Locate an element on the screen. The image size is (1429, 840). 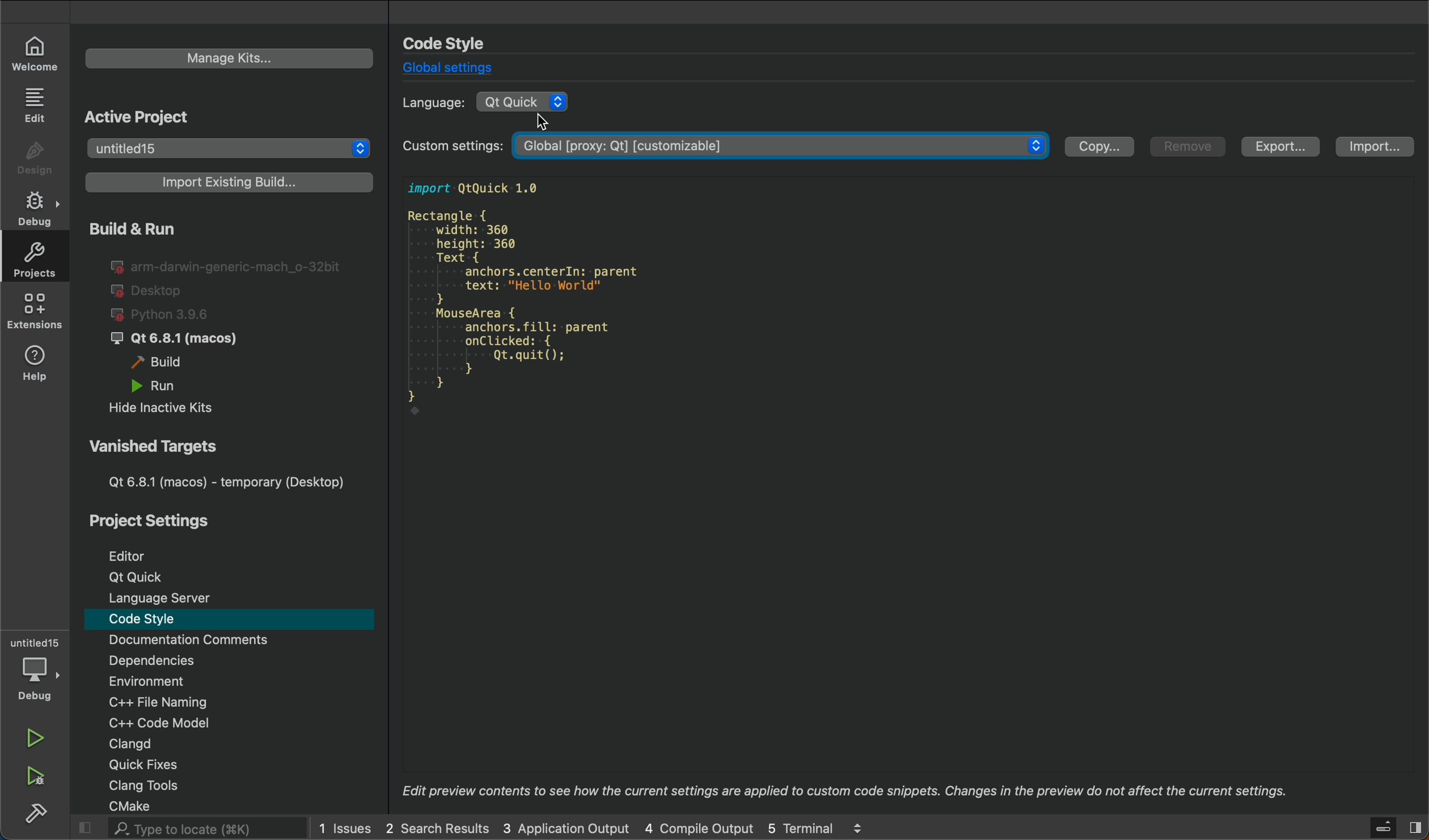
logs is located at coordinates (590, 828).